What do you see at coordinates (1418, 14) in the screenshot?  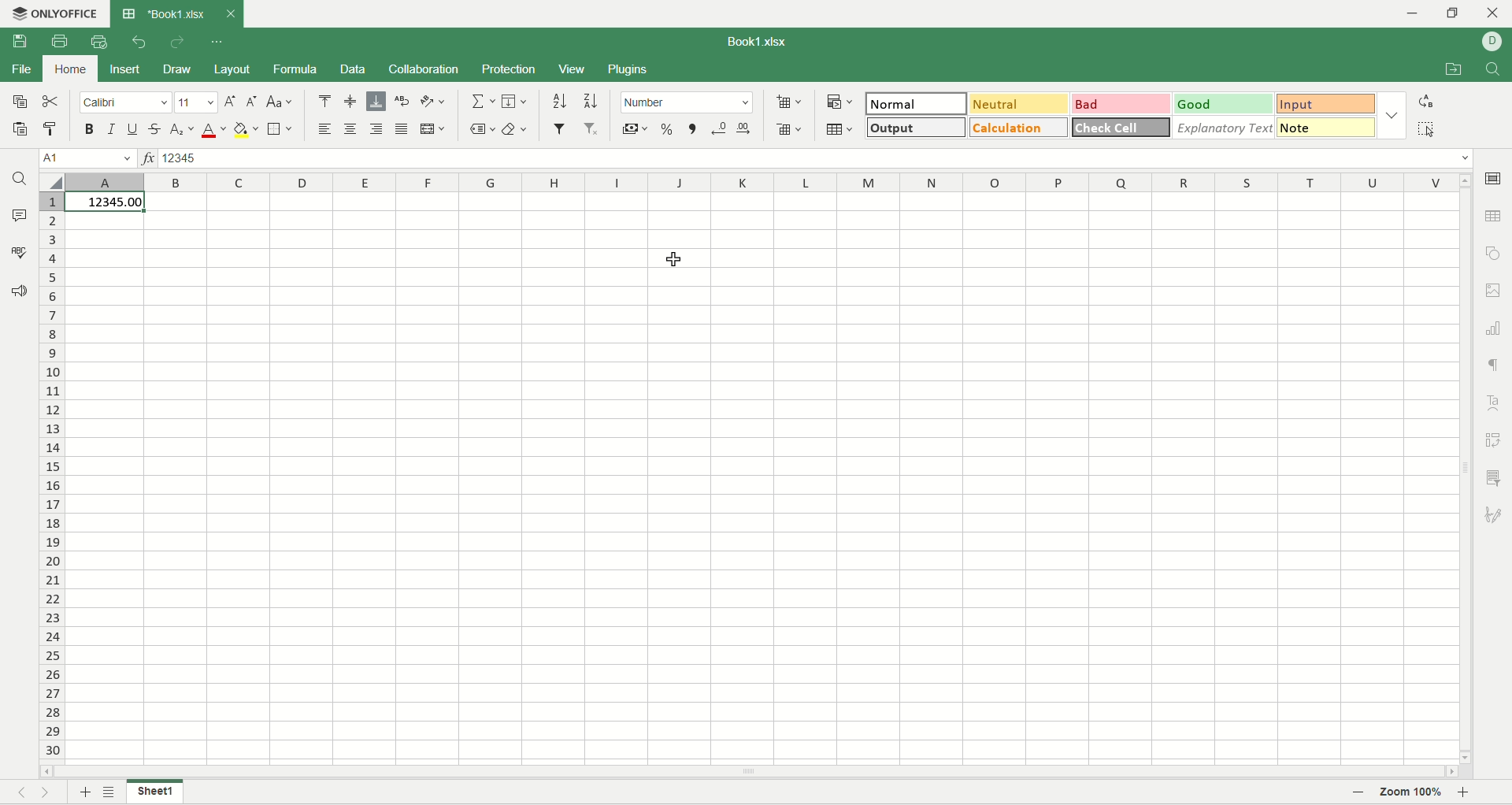 I see `minimize` at bounding box center [1418, 14].